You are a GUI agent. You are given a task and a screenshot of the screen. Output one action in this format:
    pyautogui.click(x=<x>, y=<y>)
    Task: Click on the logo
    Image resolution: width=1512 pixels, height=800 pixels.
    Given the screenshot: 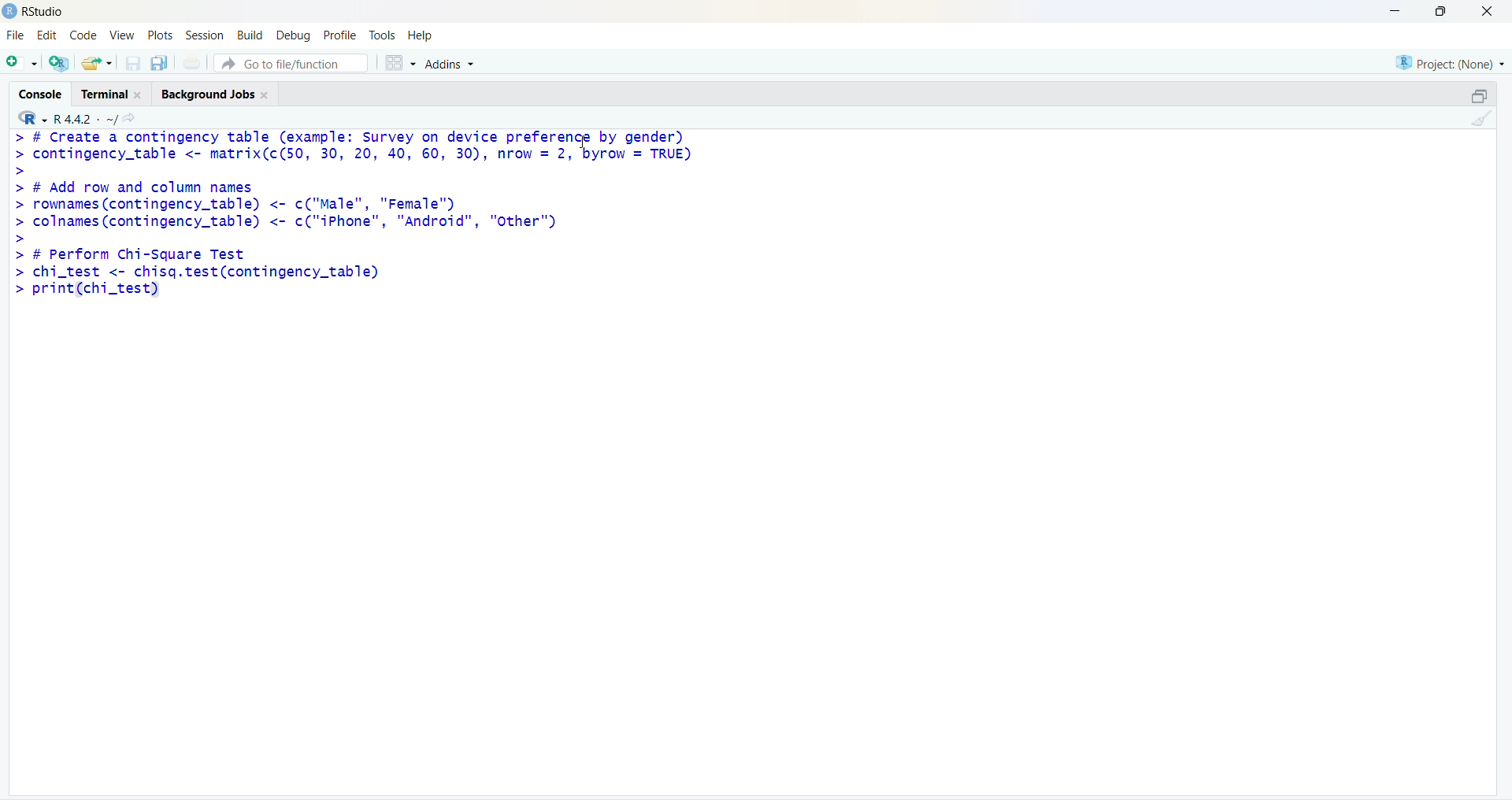 What is the action you would take?
    pyautogui.click(x=11, y=12)
    